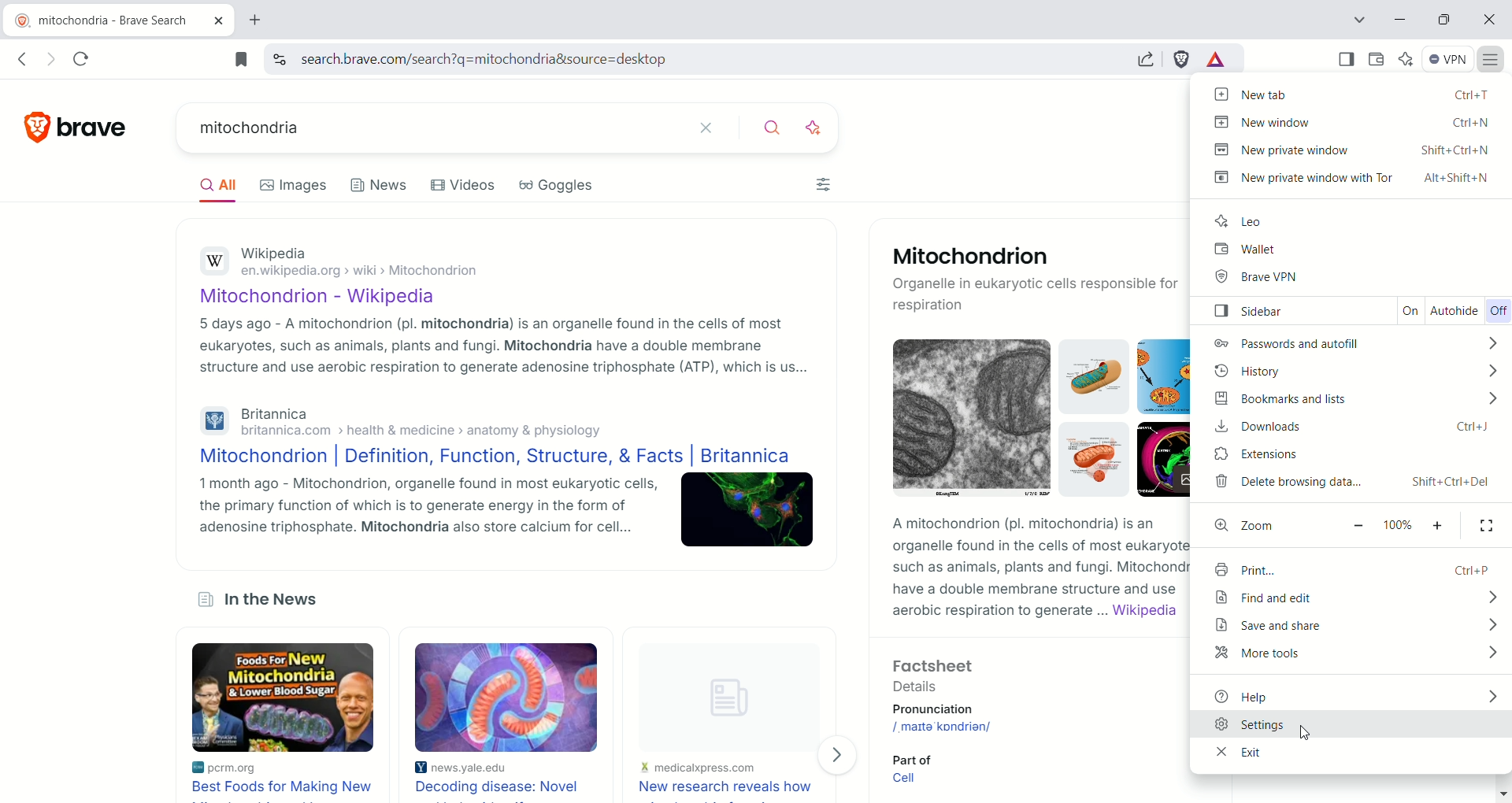 This screenshot has width=1512, height=803. I want to click on downloads, so click(1349, 424).